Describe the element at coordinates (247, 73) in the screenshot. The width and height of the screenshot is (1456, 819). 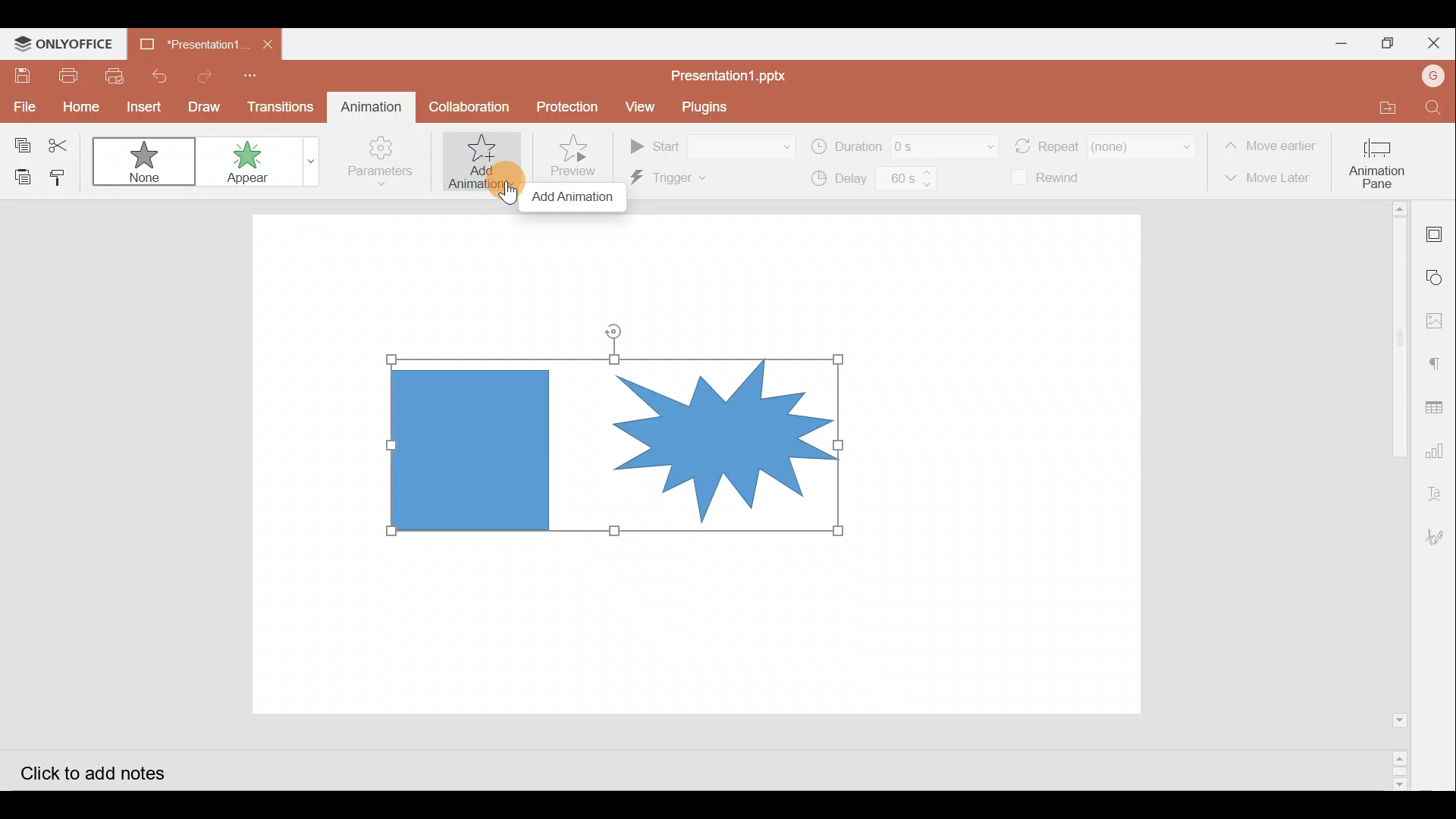
I see `Customize quick access toolbar` at that location.